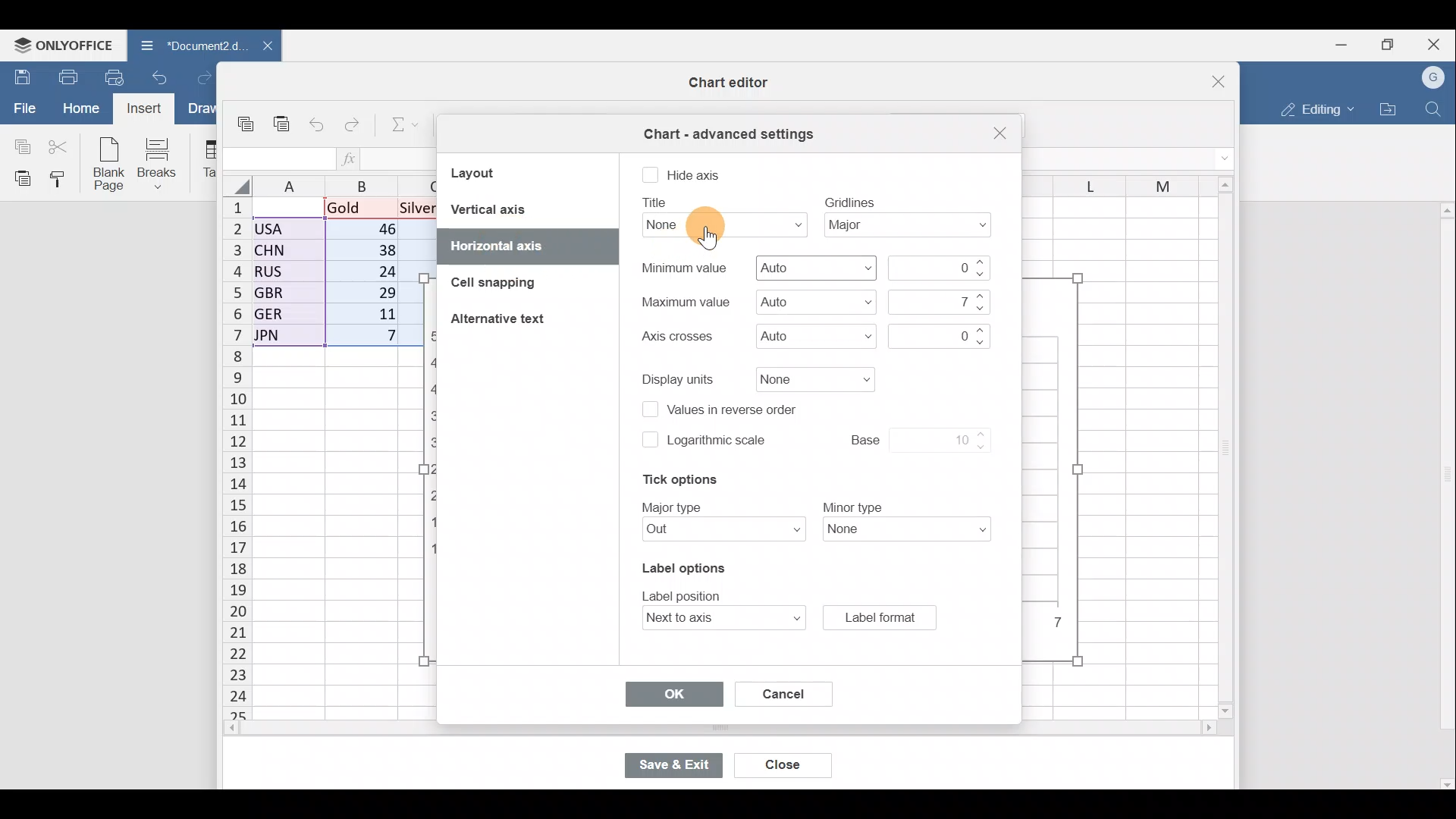  Describe the element at coordinates (62, 43) in the screenshot. I see `ONLYOFFICE Menu` at that location.